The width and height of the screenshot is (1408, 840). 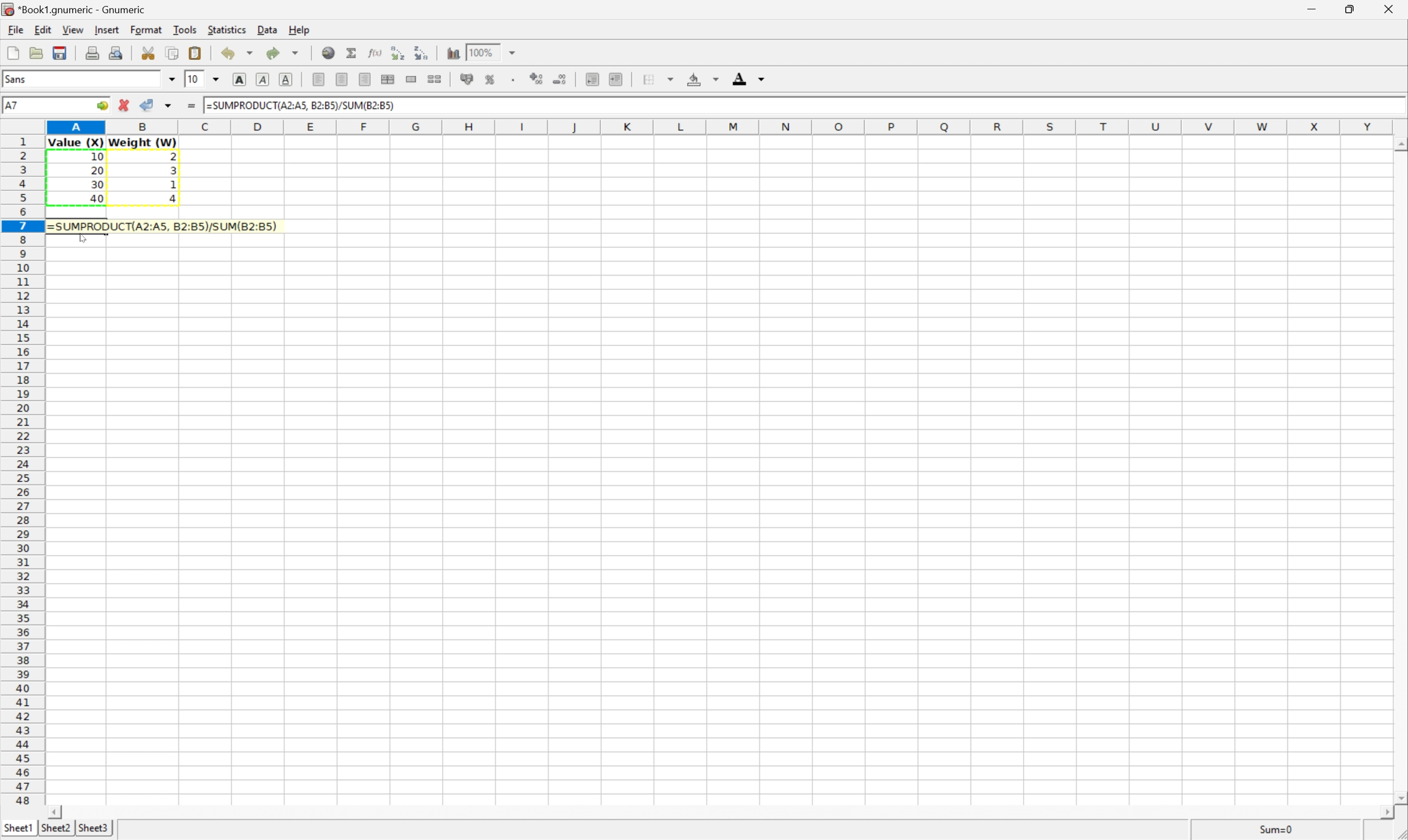 What do you see at coordinates (187, 29) in the screenshot?
I see `Tools` at bounding box center [187, 29].